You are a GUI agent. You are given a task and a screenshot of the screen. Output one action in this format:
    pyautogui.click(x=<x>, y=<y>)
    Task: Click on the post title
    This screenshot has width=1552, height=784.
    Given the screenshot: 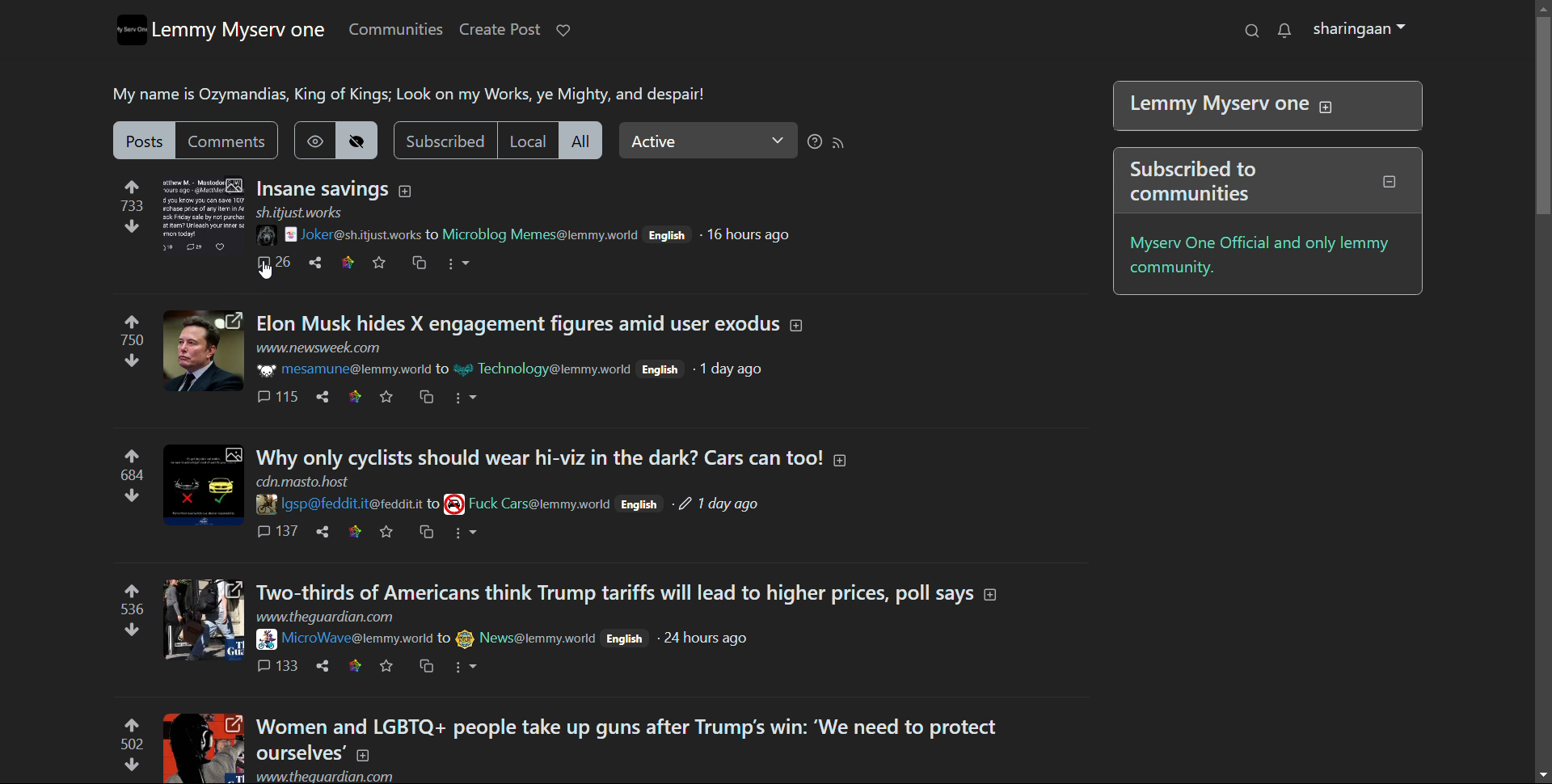 What is the action you would take?
    pyautogui.click(x=540, y=457)
    